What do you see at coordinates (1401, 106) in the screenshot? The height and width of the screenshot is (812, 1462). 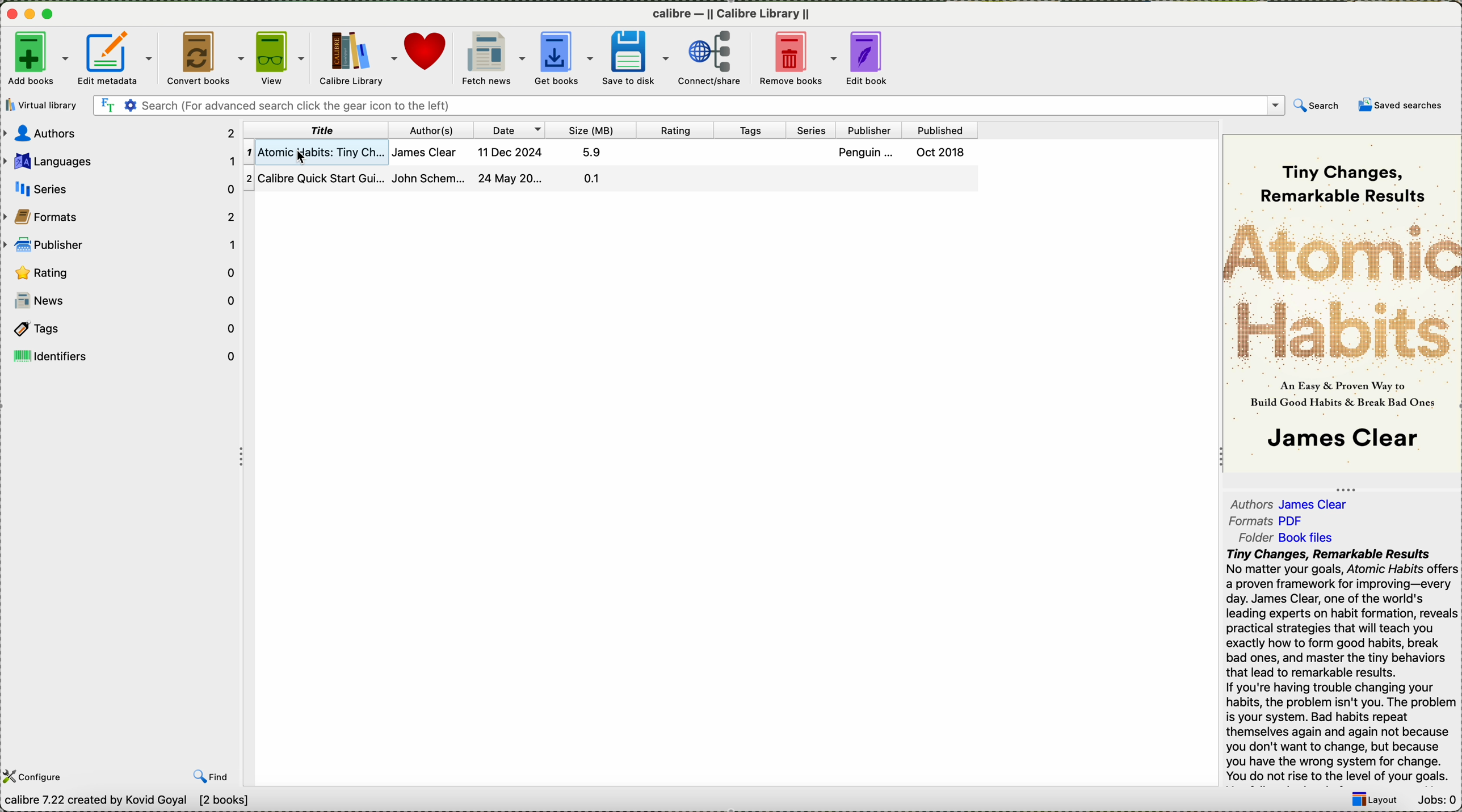 I see `saved searches` at bounding box center [1401, 106].